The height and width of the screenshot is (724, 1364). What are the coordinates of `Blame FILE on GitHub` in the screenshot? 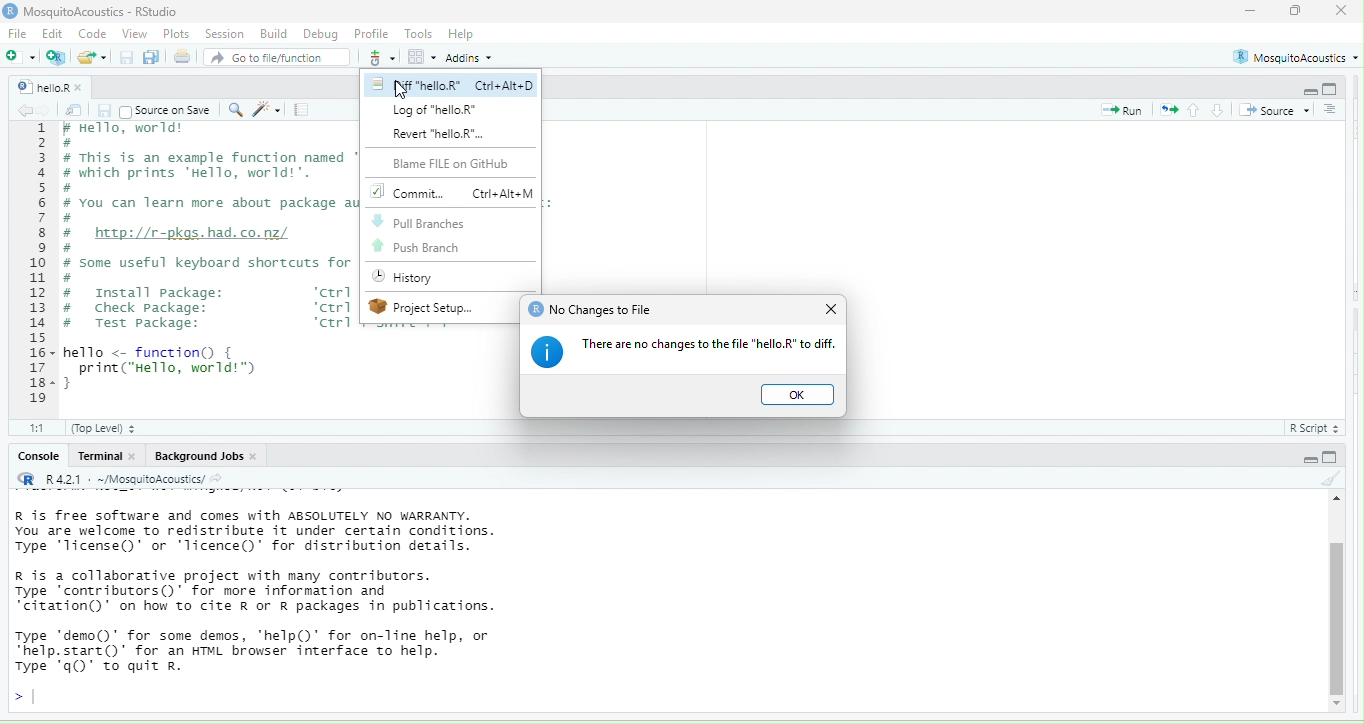 It's located at (451, 164).